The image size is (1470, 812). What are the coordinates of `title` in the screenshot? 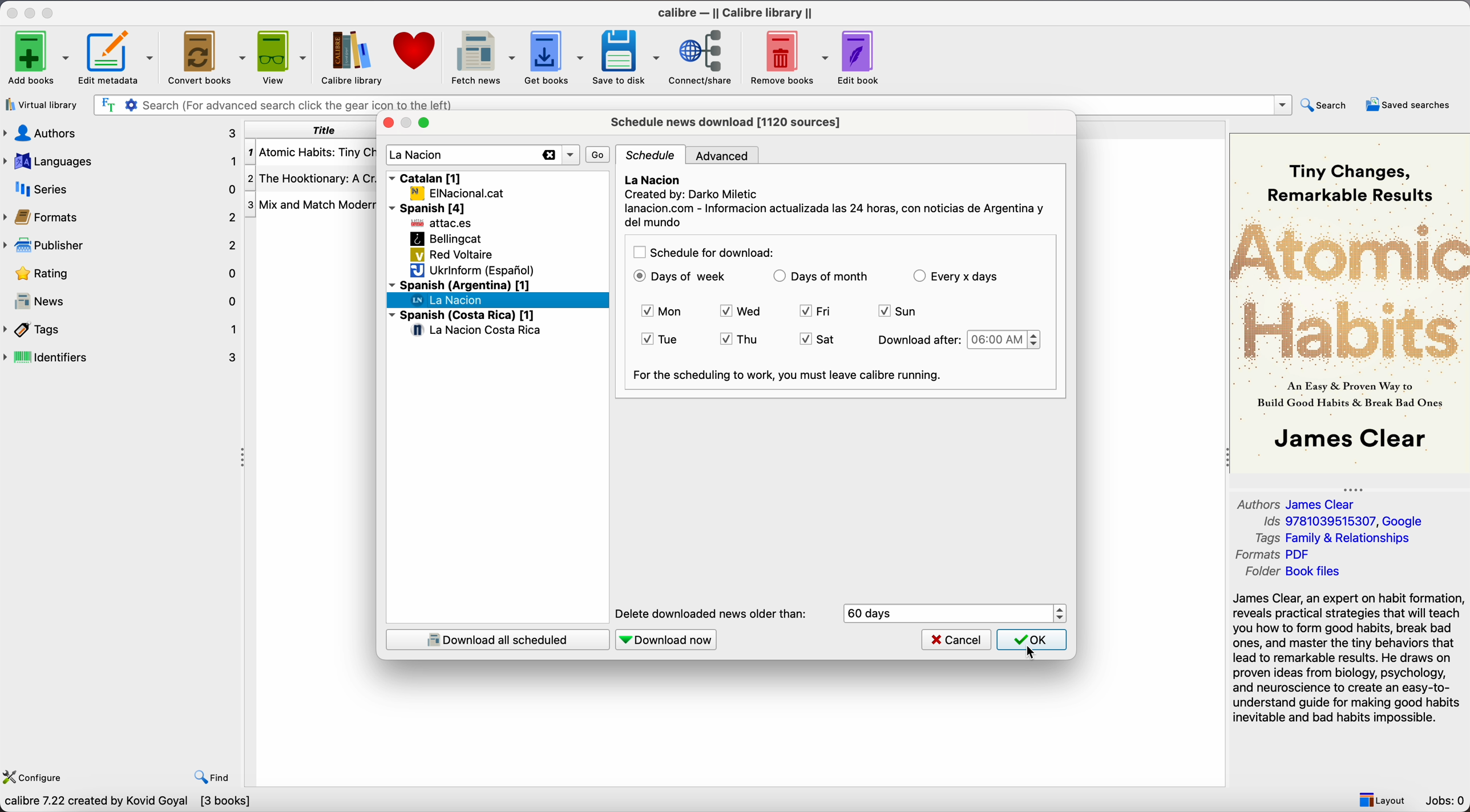 It's located at (309, 130).